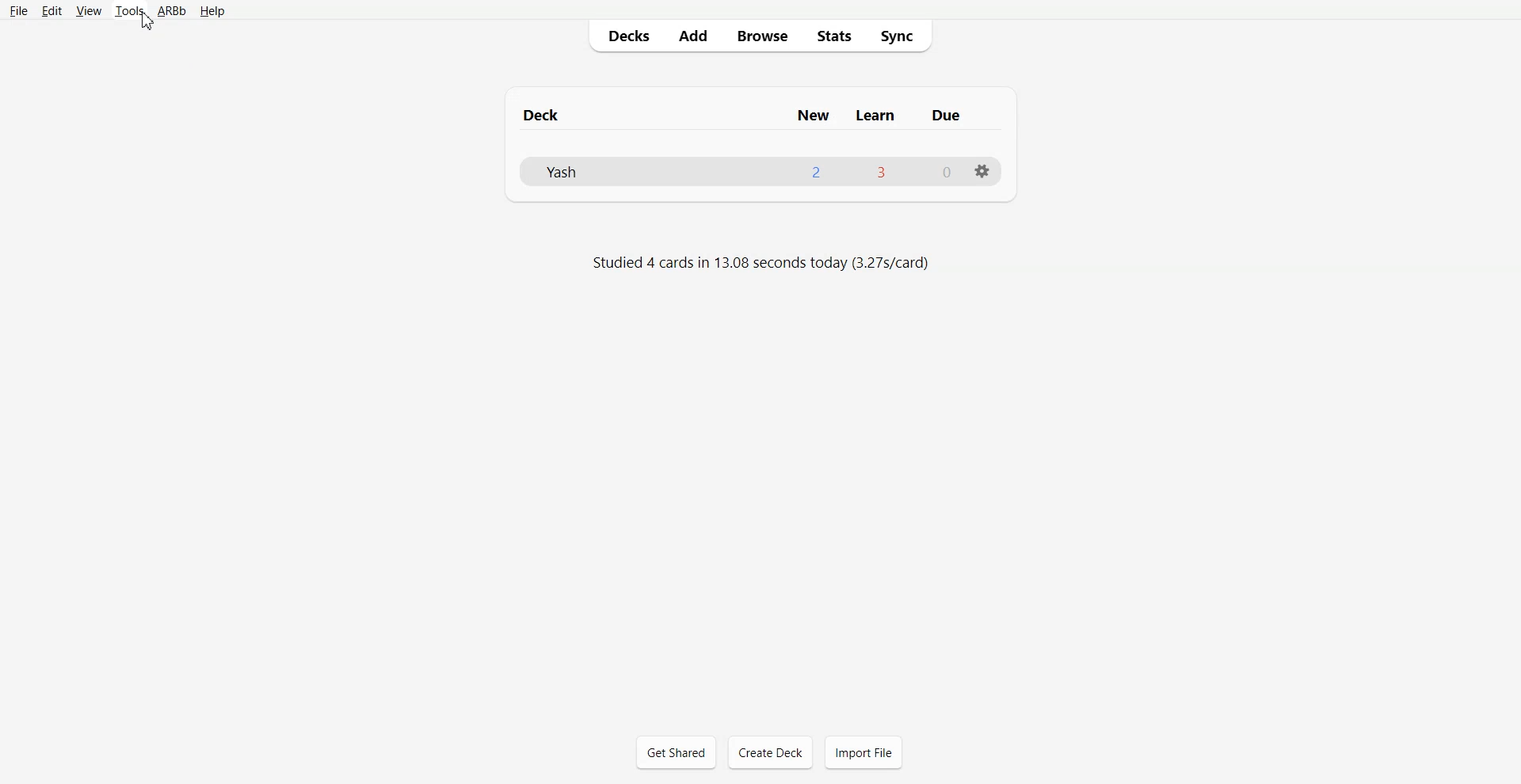 Image resolution: width=1521 pixels, height=784 pixels. Describe the element at coordinates (902, 36) in the screenshot. I see `Sync` at that location.